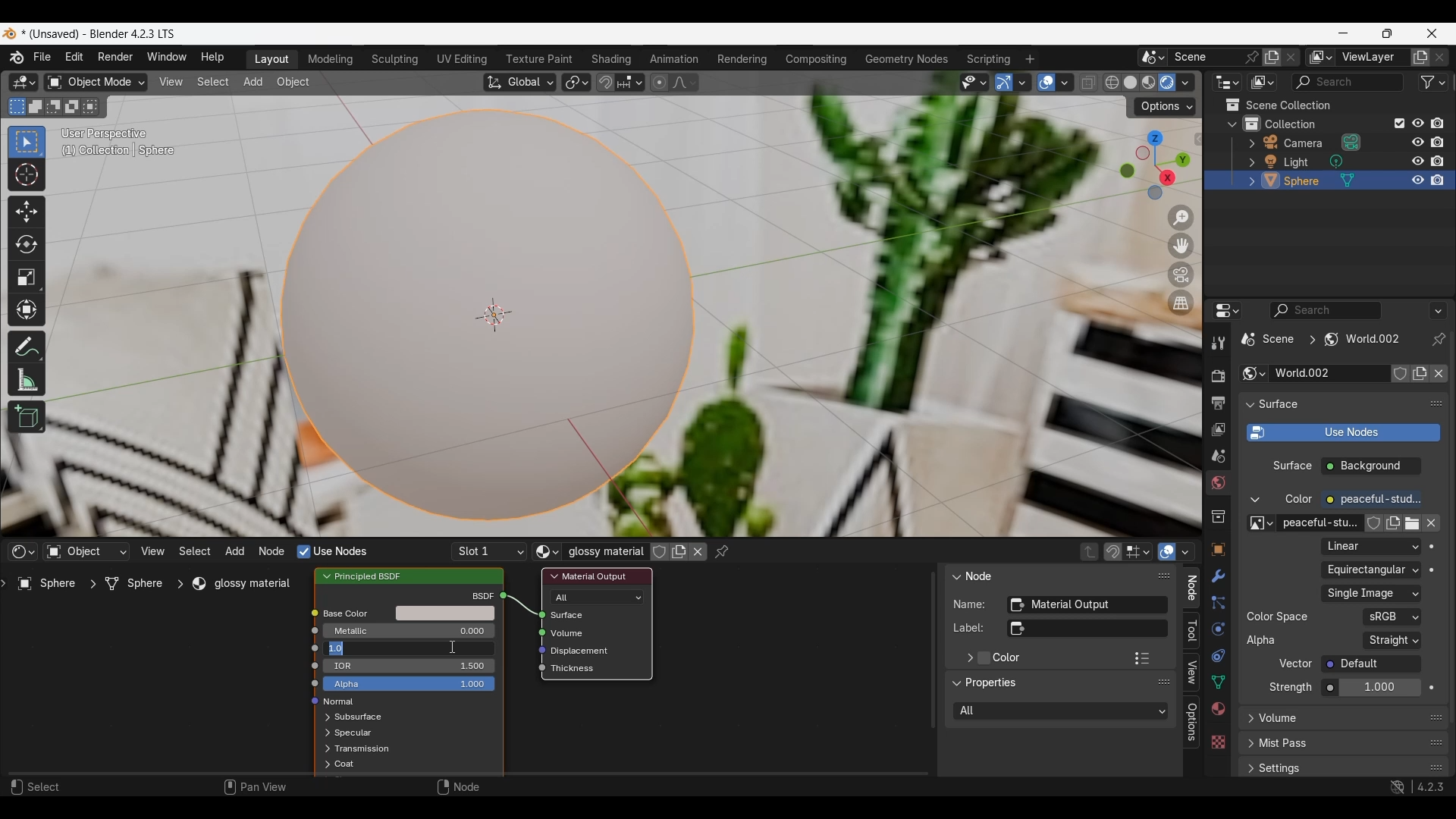  I want to click on expand respective scenes, so click(322, 765).